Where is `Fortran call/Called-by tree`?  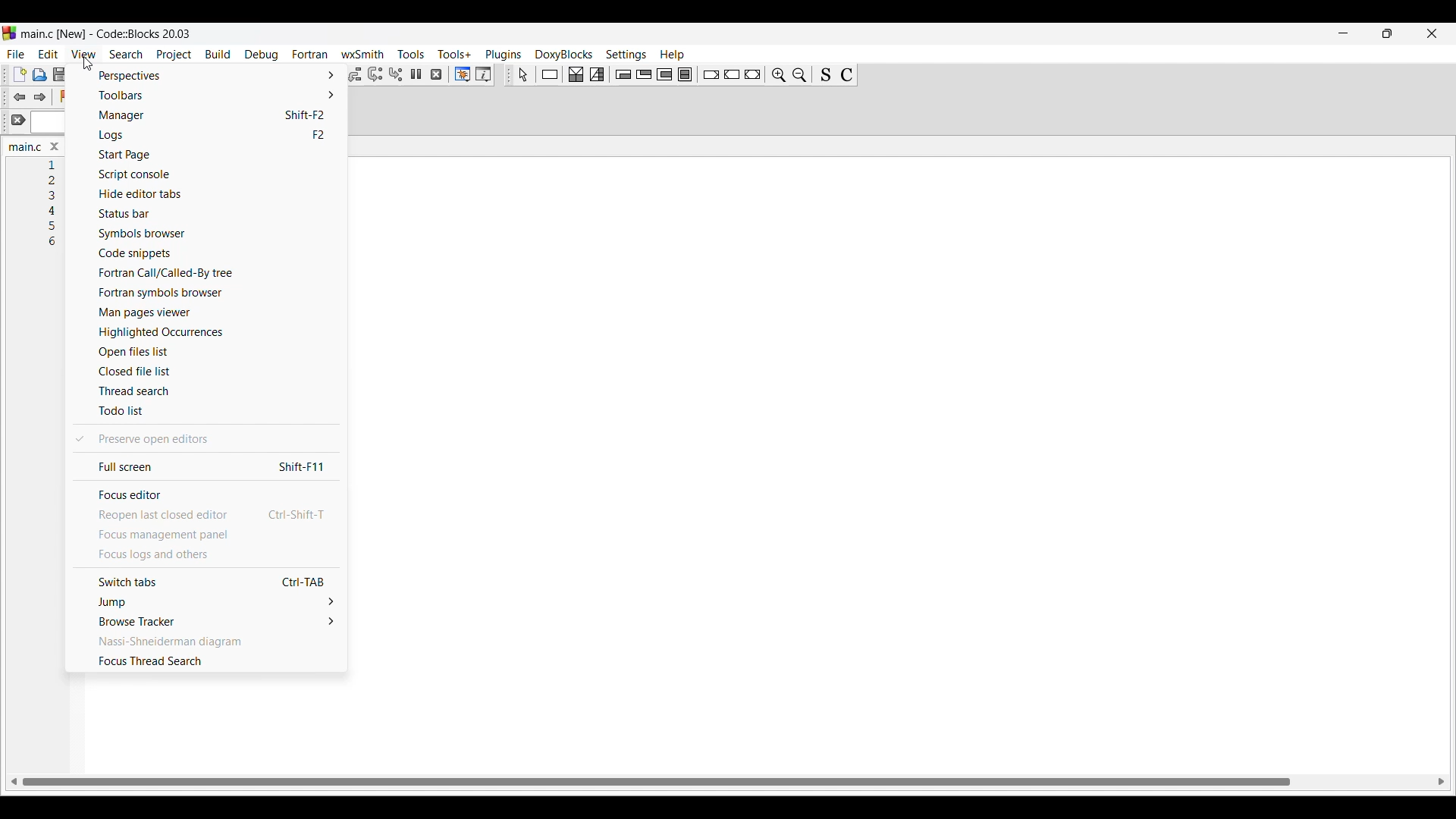 Fortran call/Called-by tree is located at coordinates (207, 273).